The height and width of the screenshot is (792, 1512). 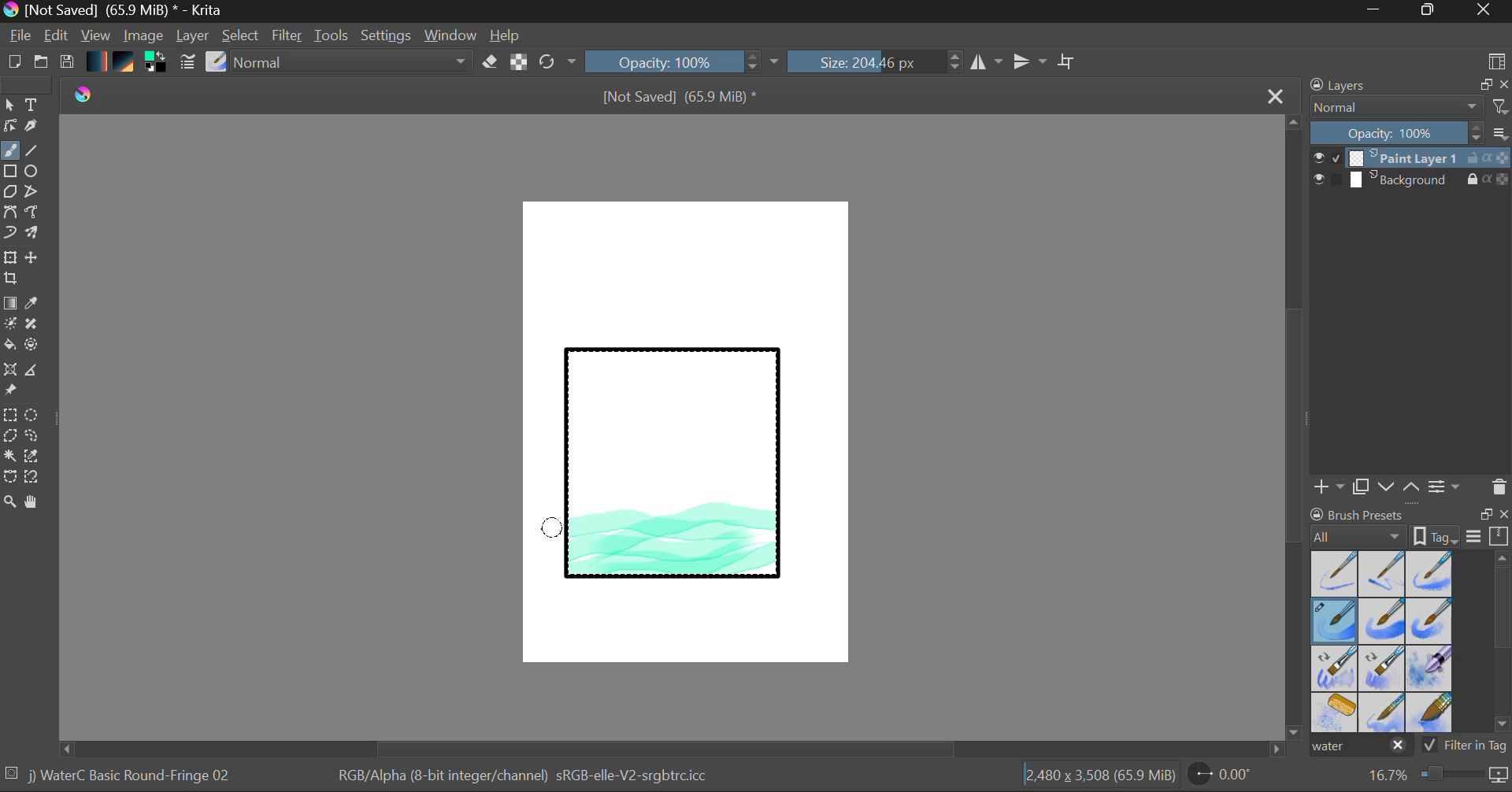 I want to click on Water C - Grain, so click(x=1383, y=622).